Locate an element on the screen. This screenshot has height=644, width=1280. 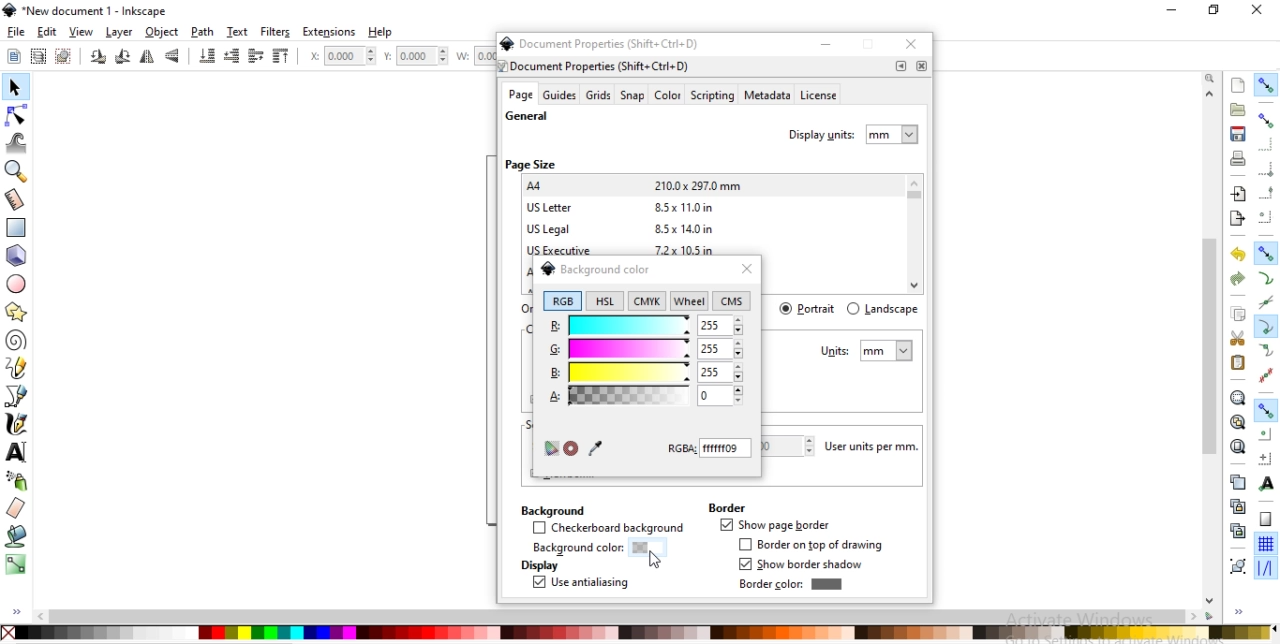
pick colors from image is located at coordinates (595, 447).